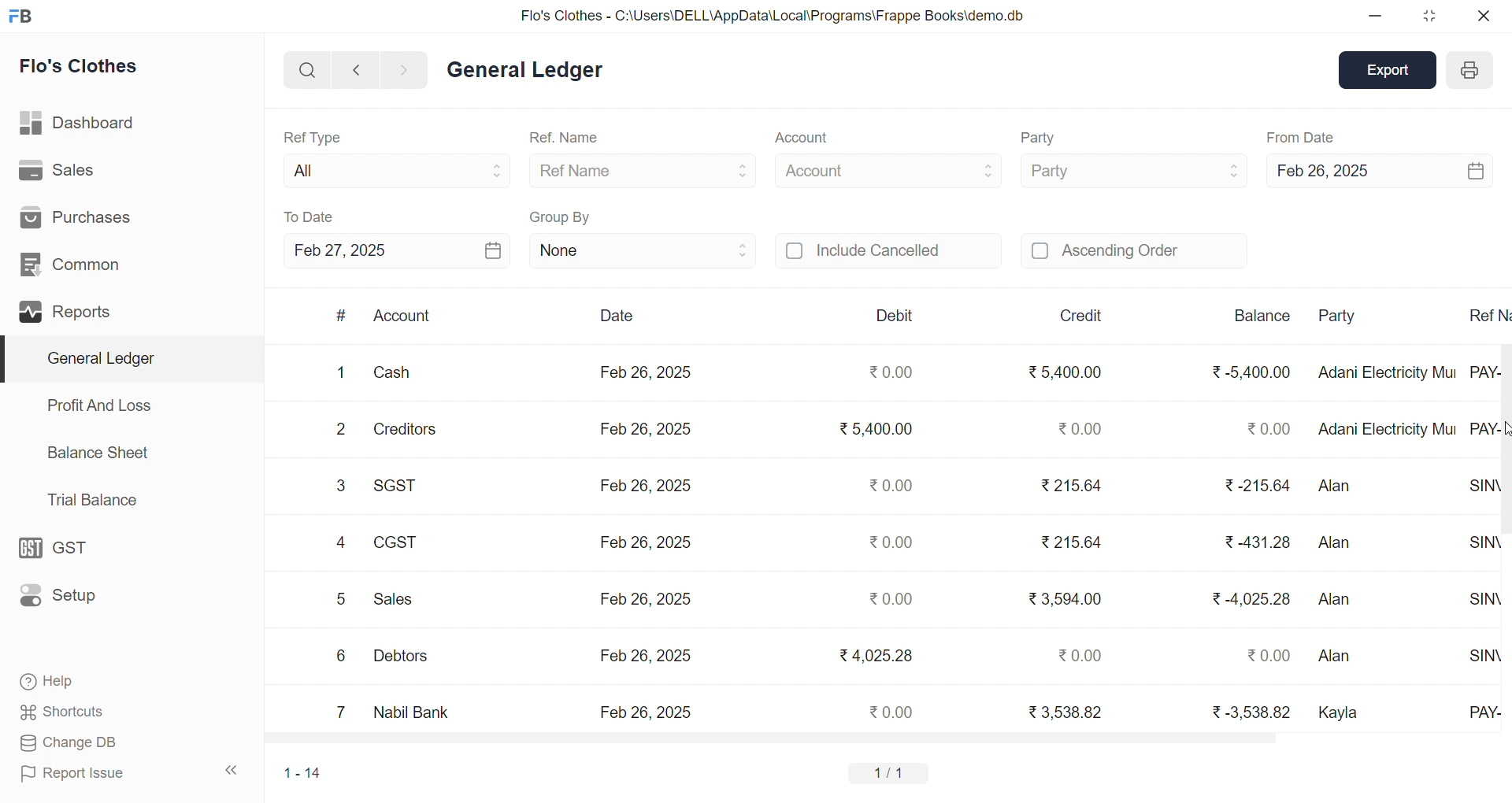 This screenshot has width=1512, height=803. I want to click on Help, so click(53, 683).